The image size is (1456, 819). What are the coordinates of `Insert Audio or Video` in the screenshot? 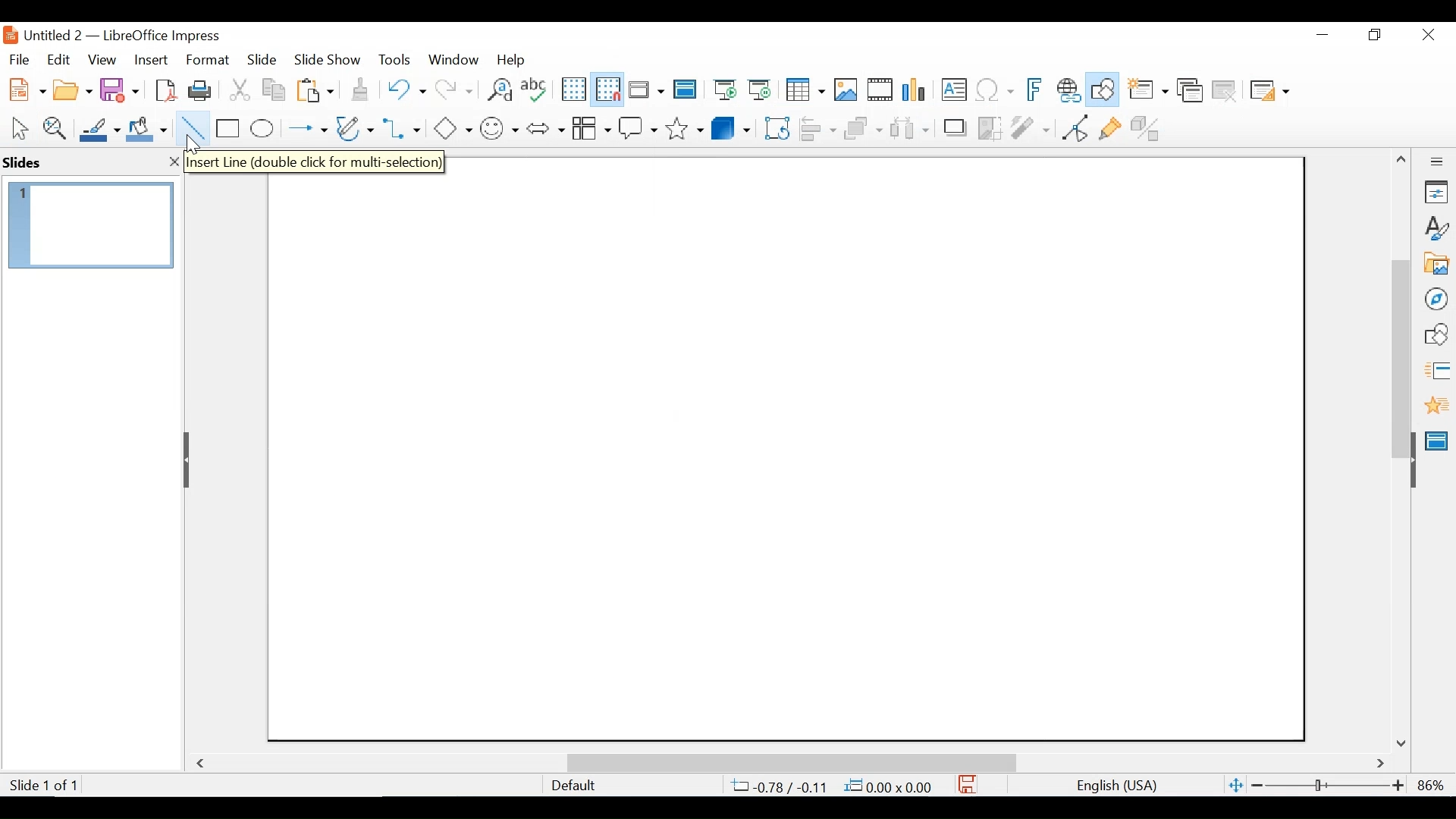 It's located at (880, 91).